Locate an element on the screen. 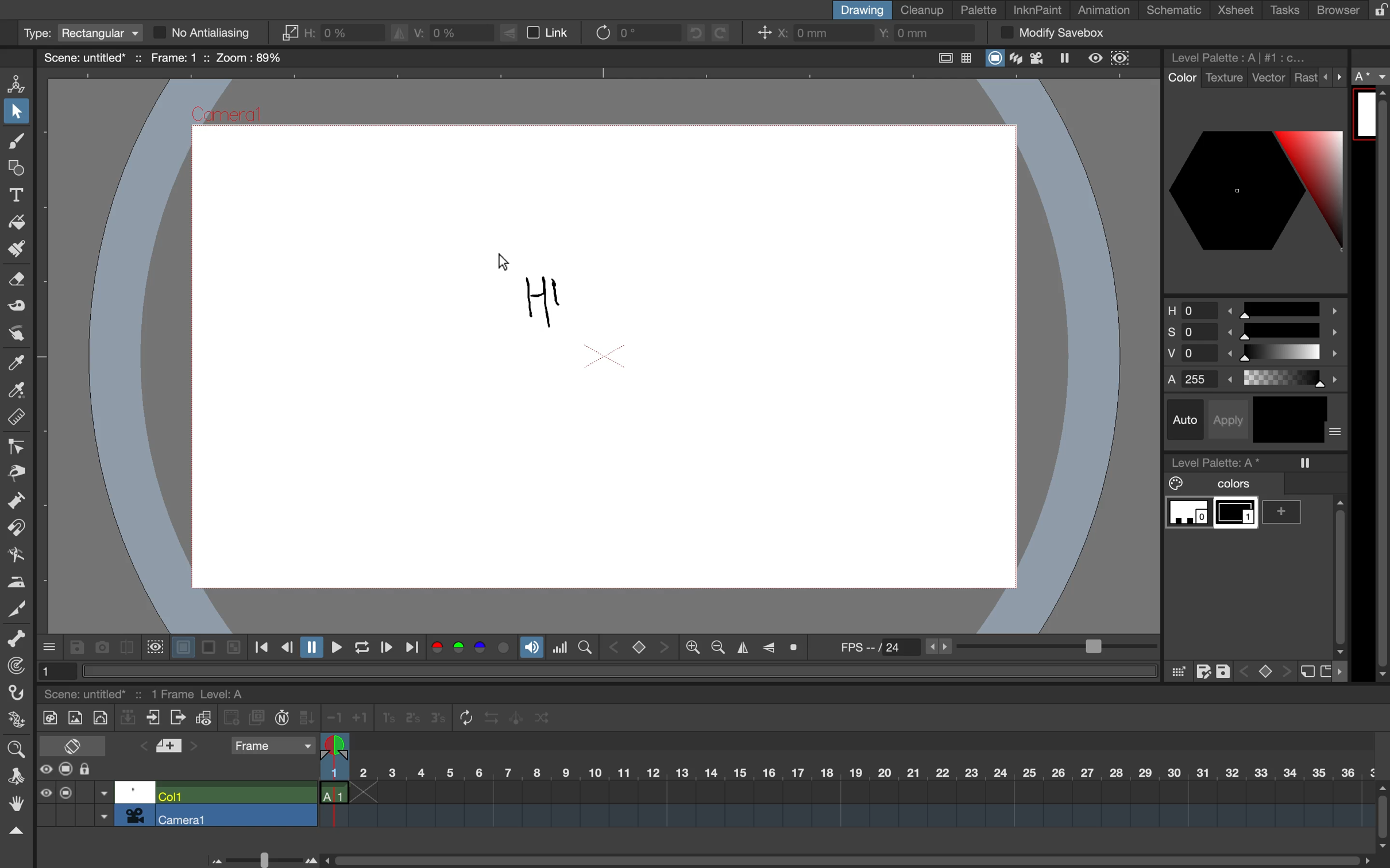 Image resolution: width=1390 pixels, height=868 pixels. cursor is located at coordinates (504, 262).